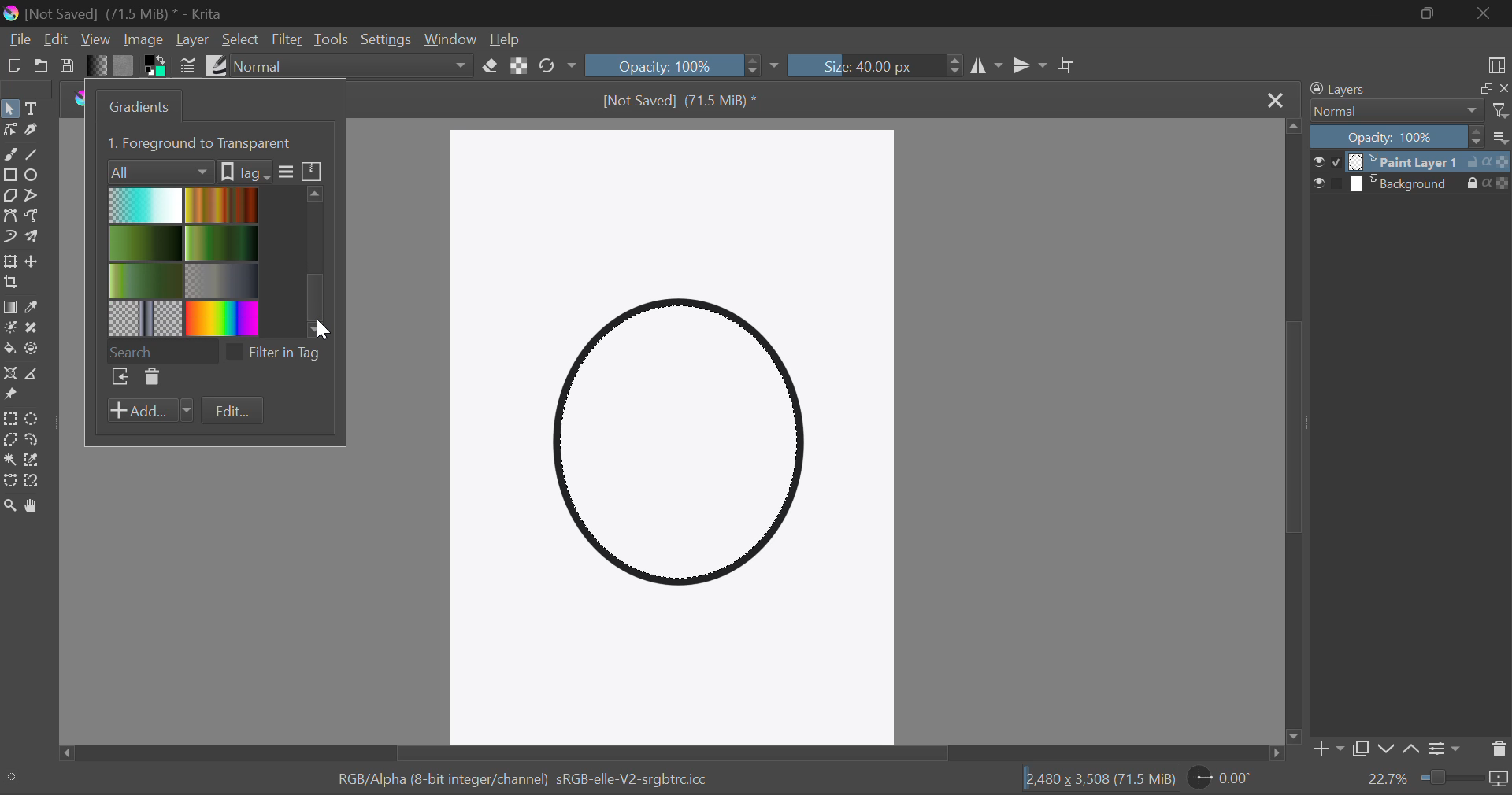  What do you see at coordinates (1395, 112) in the screenshot?
I see `Normal` at bounding box center [1395, 112].